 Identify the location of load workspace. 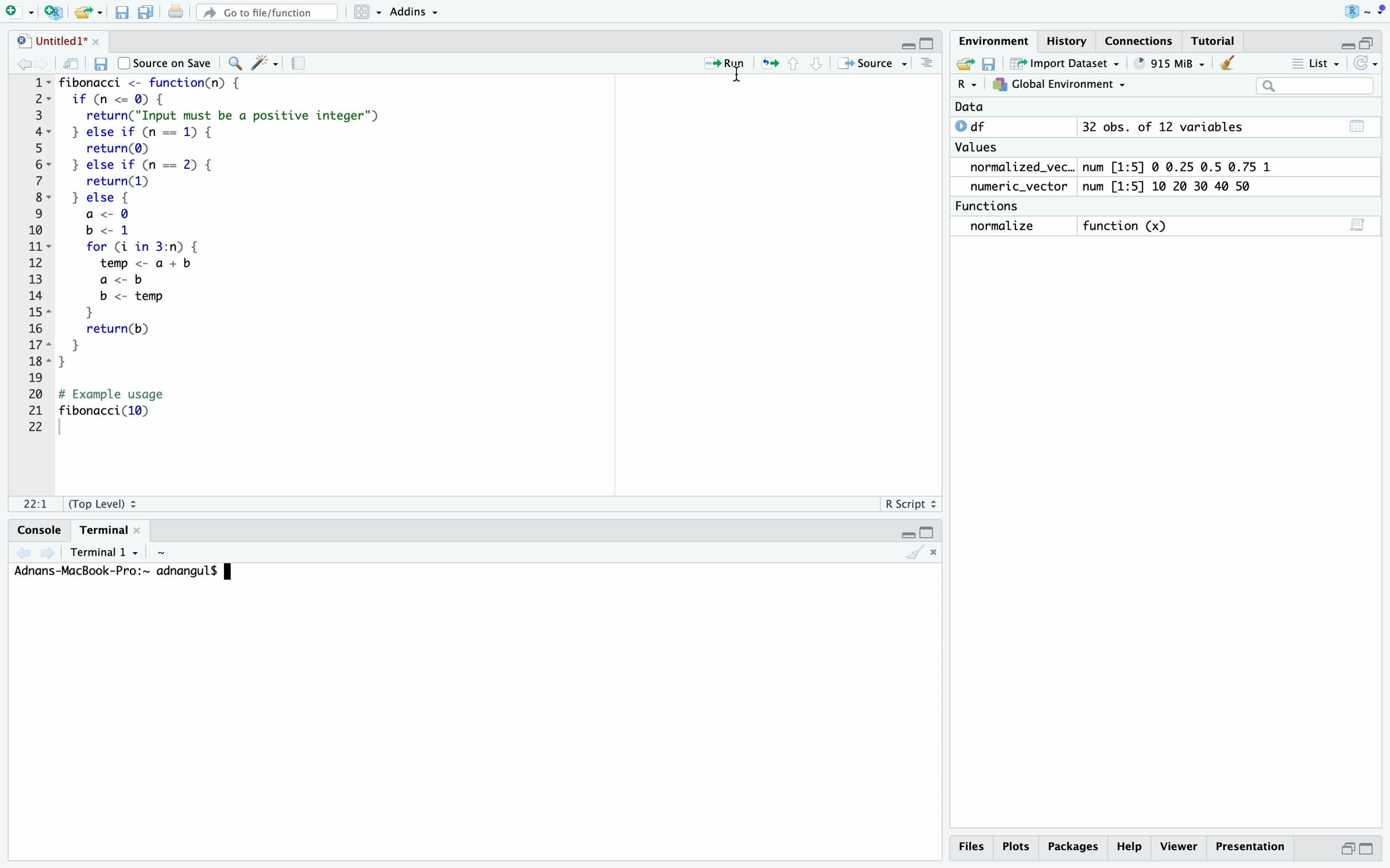
(966, 63).